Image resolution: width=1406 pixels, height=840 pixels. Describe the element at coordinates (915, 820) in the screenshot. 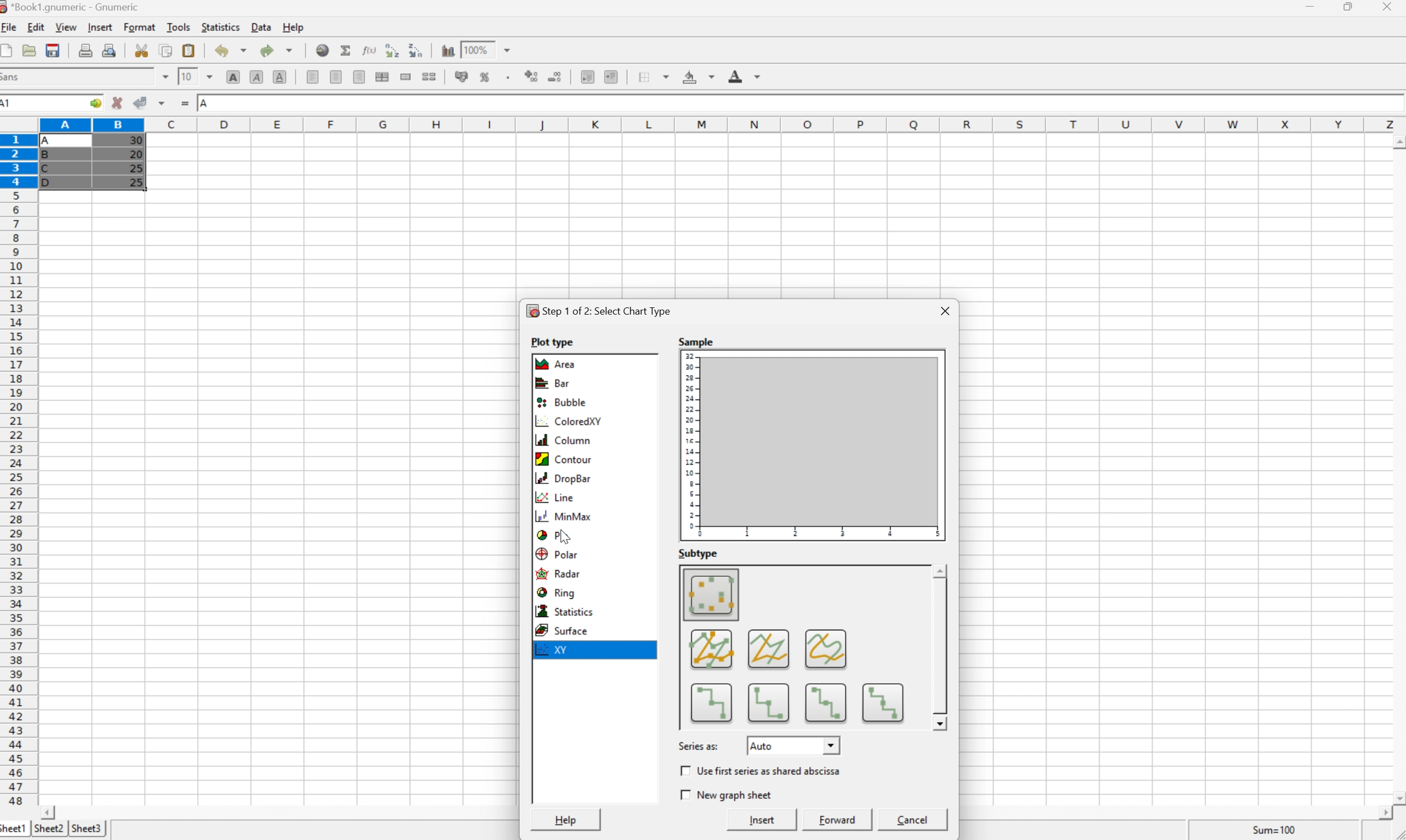

I see `Cancel` at that location.